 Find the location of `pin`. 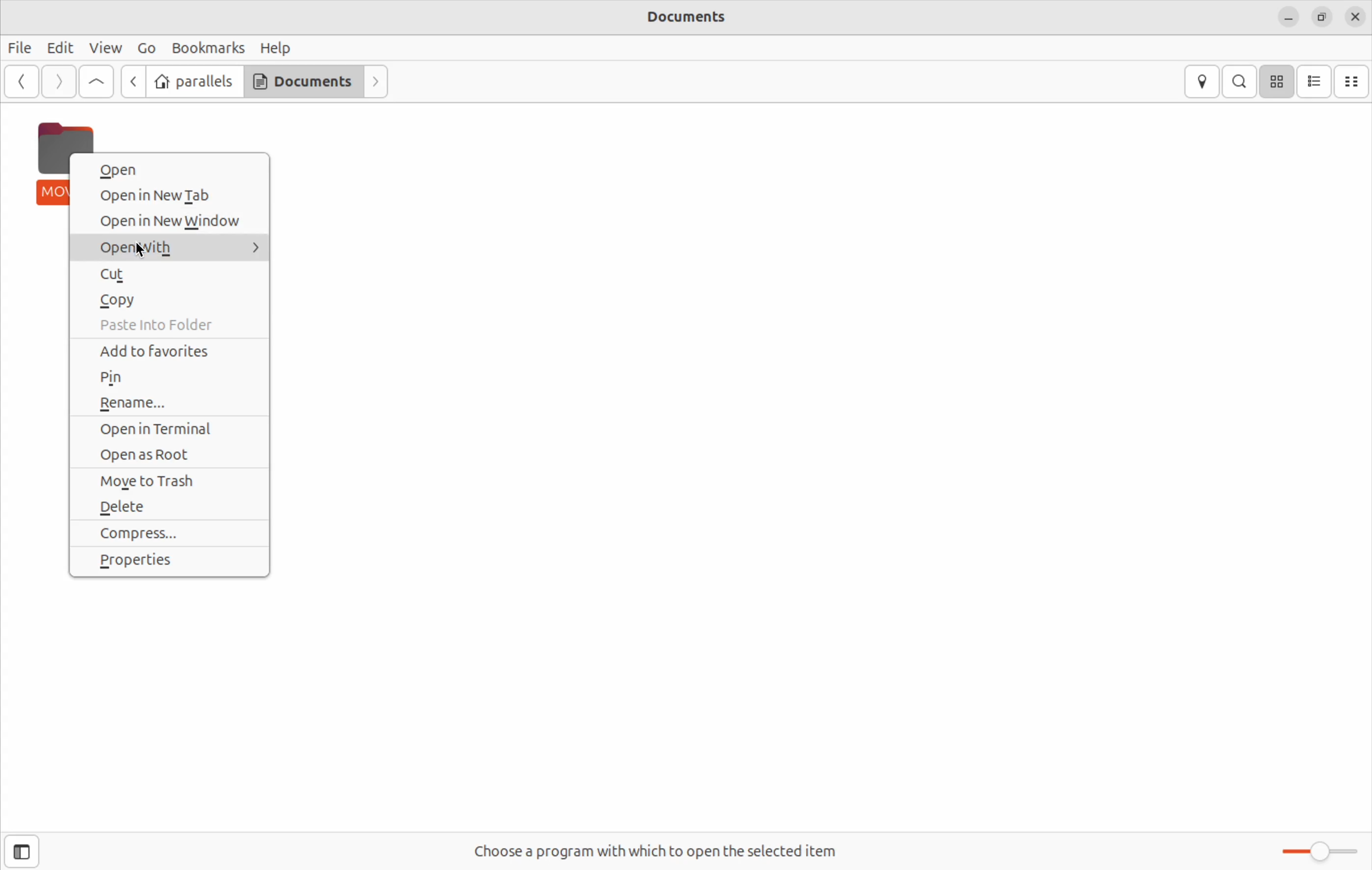

pin is located at coordinates (168, 375).